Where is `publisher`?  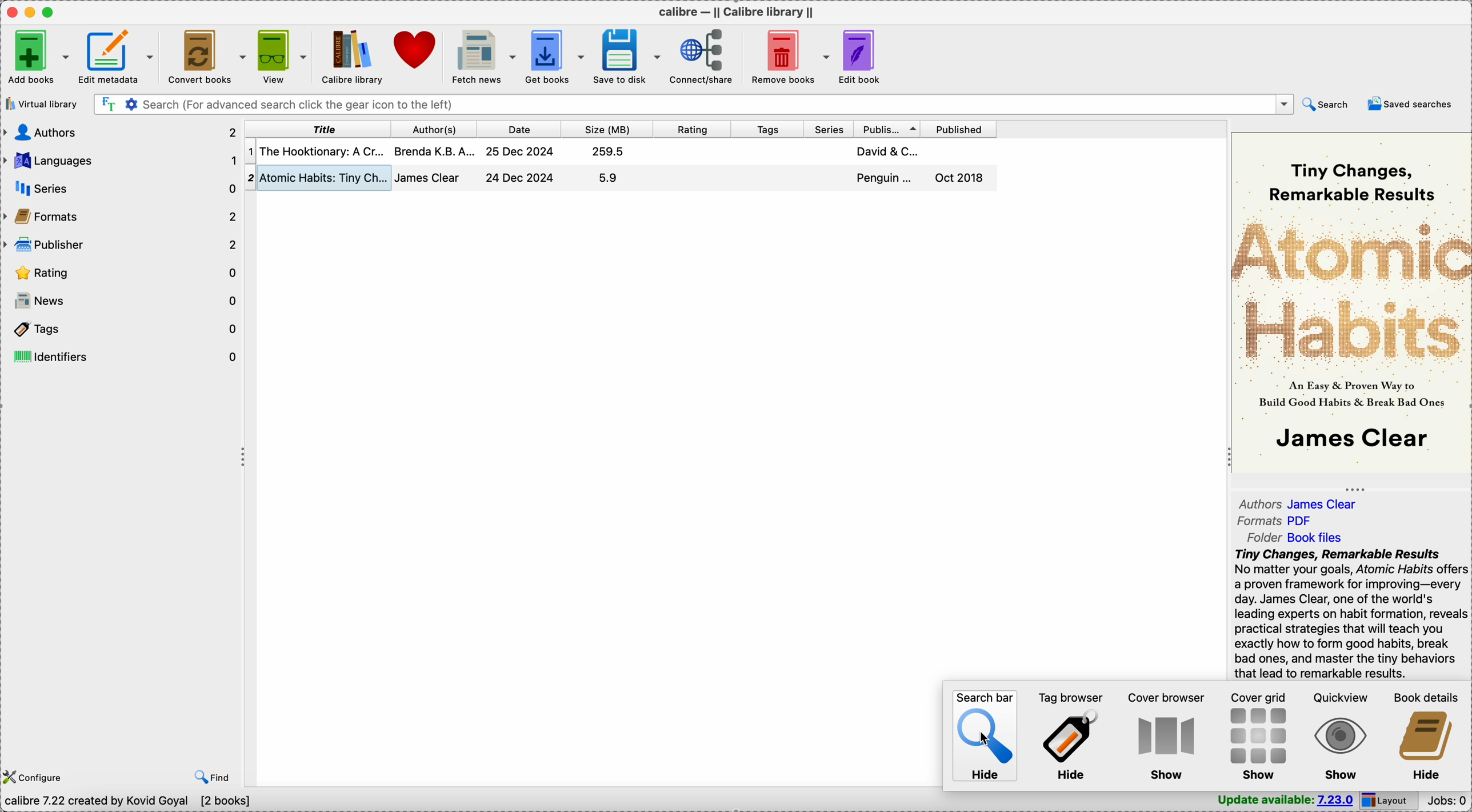 publisher is located at coordinates (889, 129).